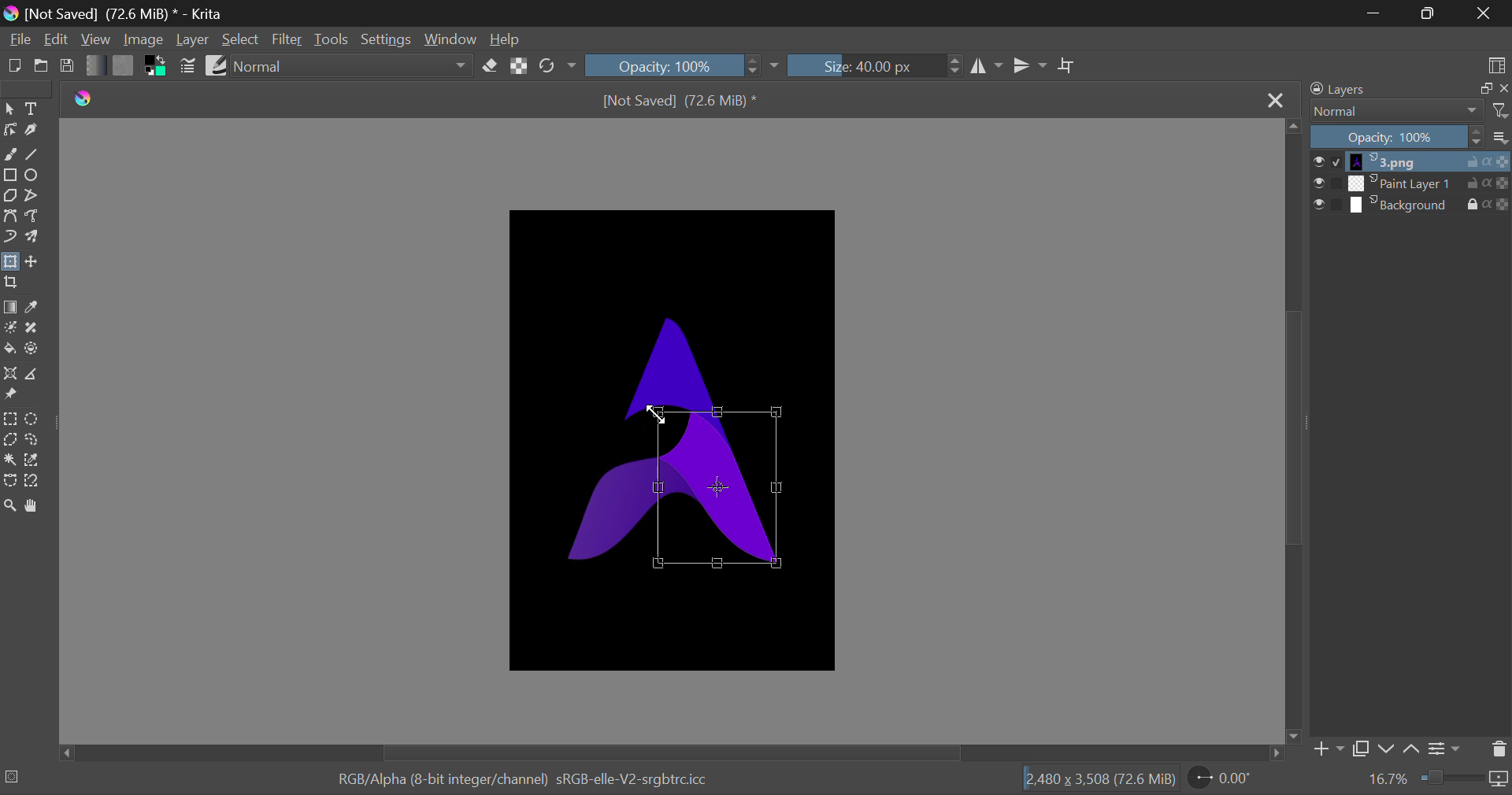 The height and width of the screenshot is (795, 1512). Describe the element at coordinates (1395, 113) in the screenshot. I see `Blending Modes` at that location.